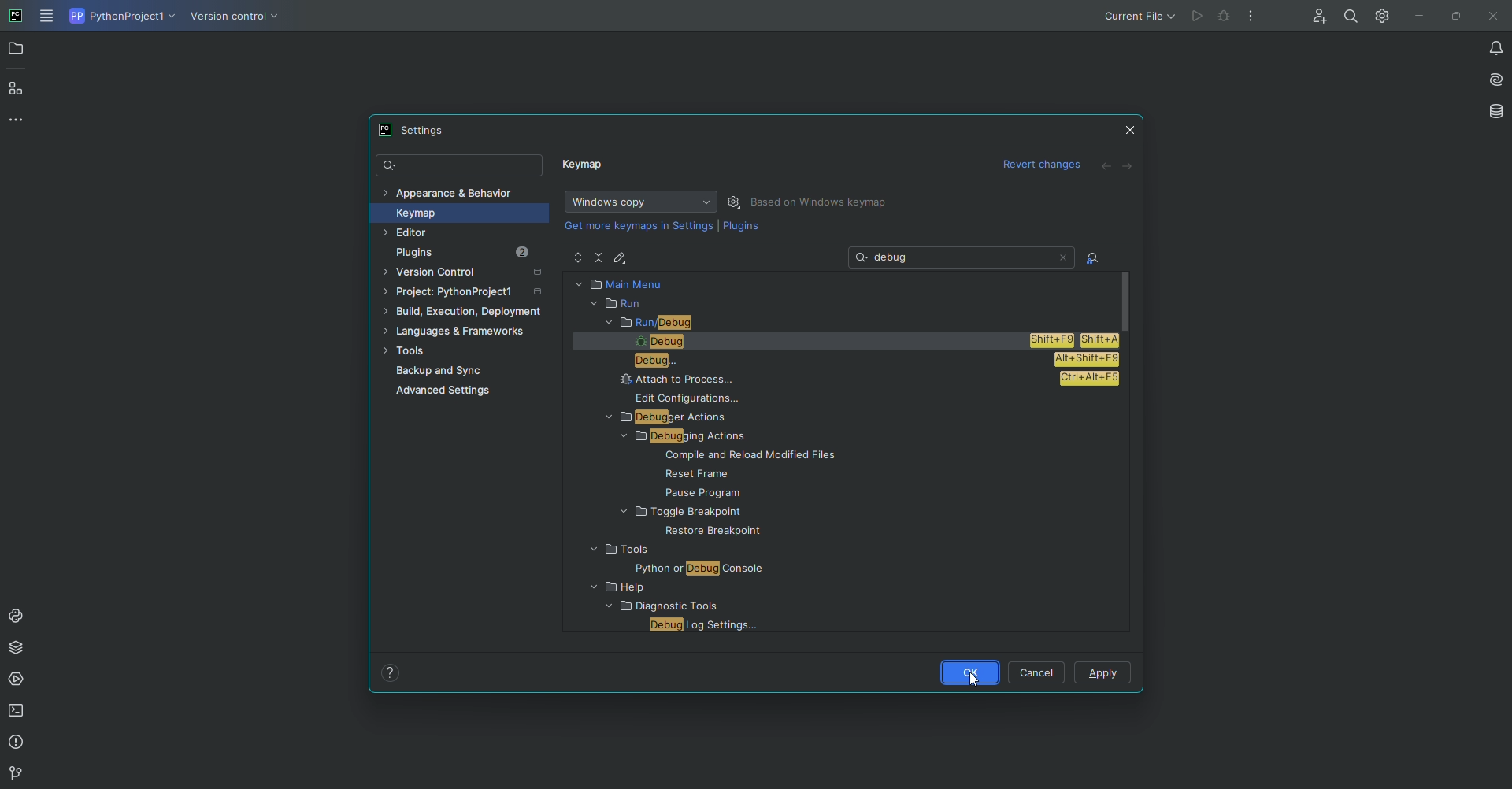 This screenshot has height=789, width=1512. Describe the element at coordinates (1131, 127) in the screenshot. I see `Close` at that location.